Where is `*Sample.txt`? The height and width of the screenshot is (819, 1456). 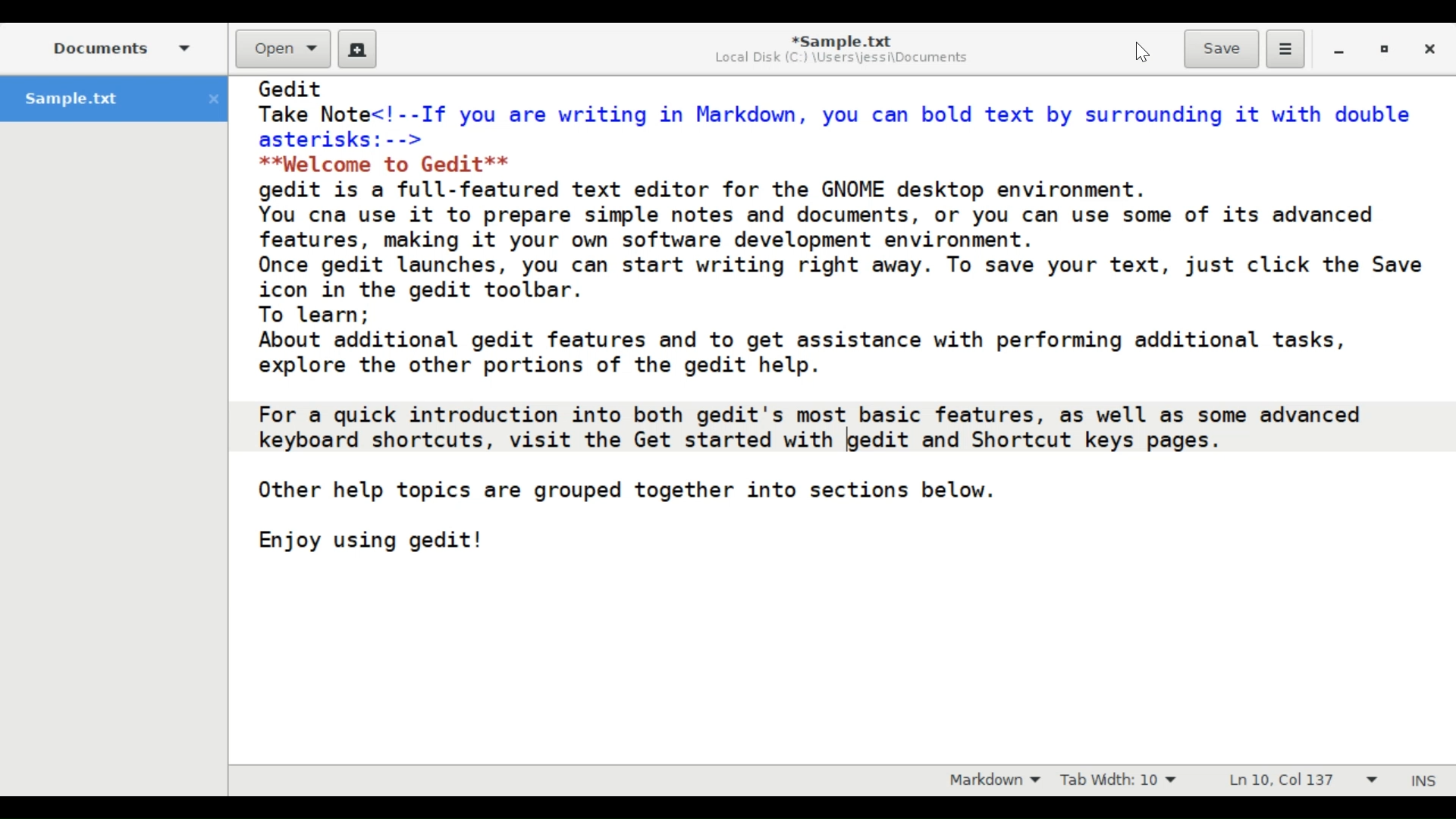
*Sample.txt is located at coordinates (843, 37).